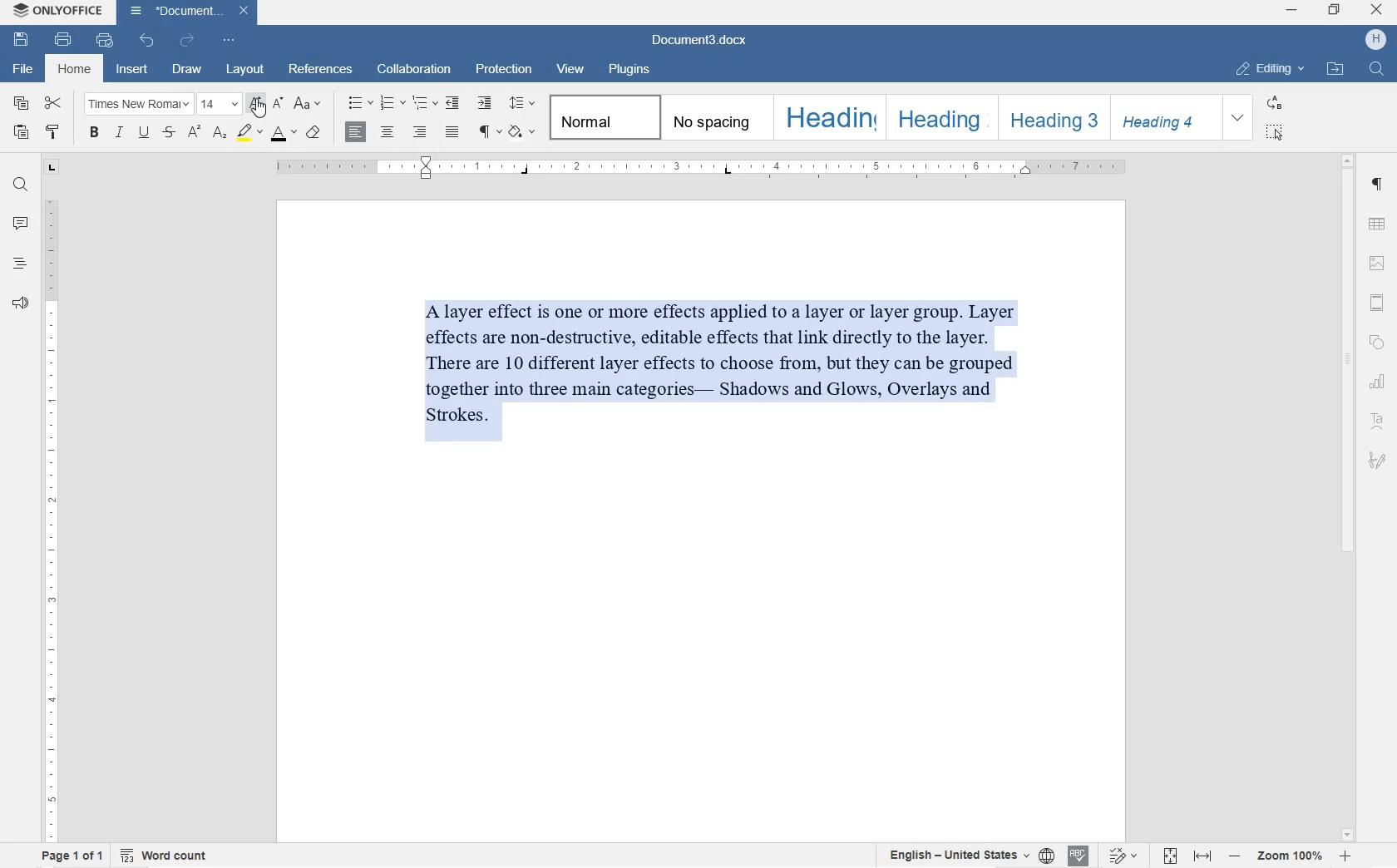 Image resolution: width=1397 pixels, height=868 pixels. I want to click on PARAGRAPH SETTINGS, so click(1378, 184).